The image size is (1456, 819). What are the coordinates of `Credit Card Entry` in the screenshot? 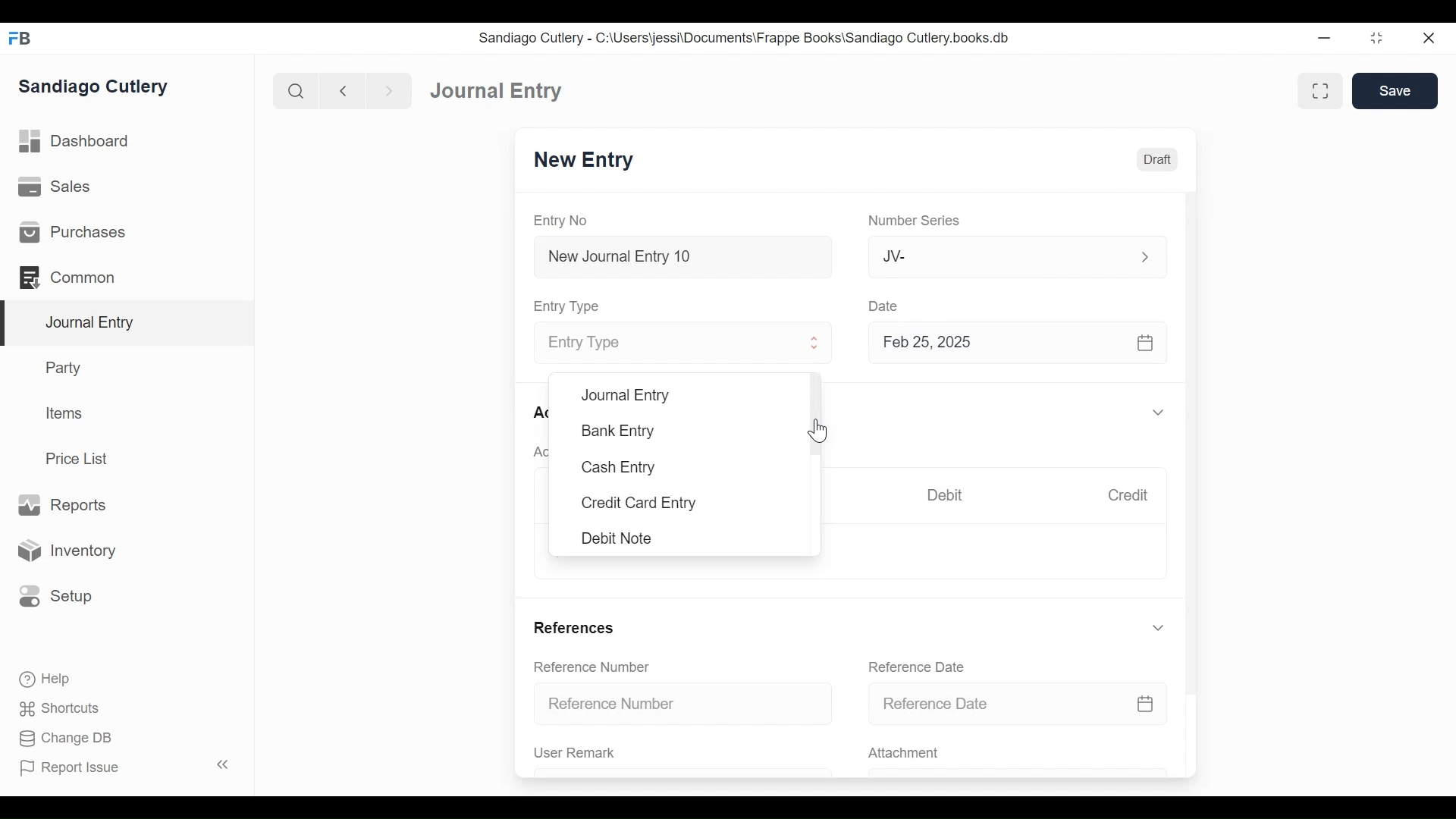 It's located at (635, 504).